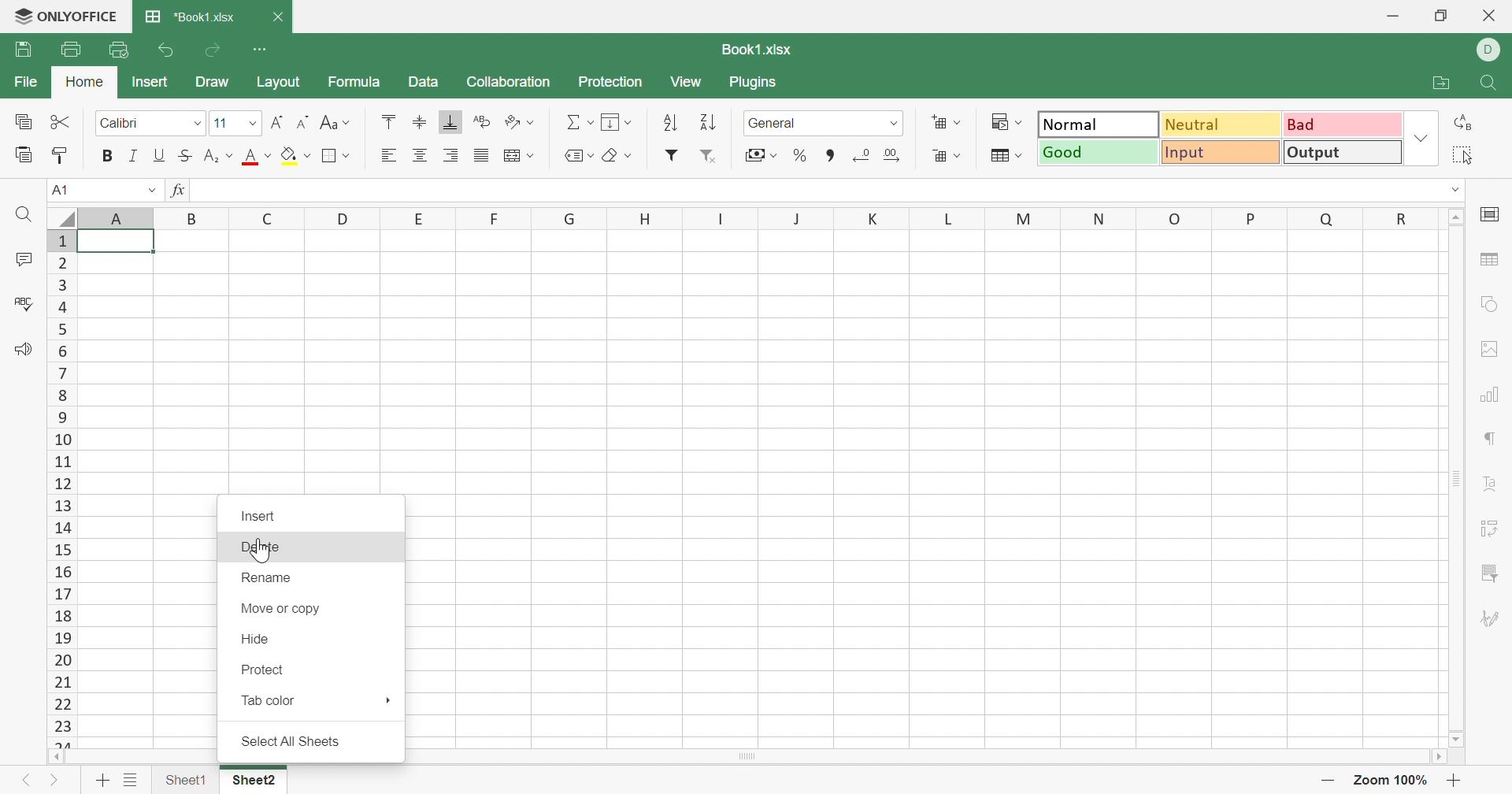 The height and width of the screenshot is (794, 1512). Describe the element at coordinates (893, 157) in the screenshot. I see `Increase decimal` at that location.